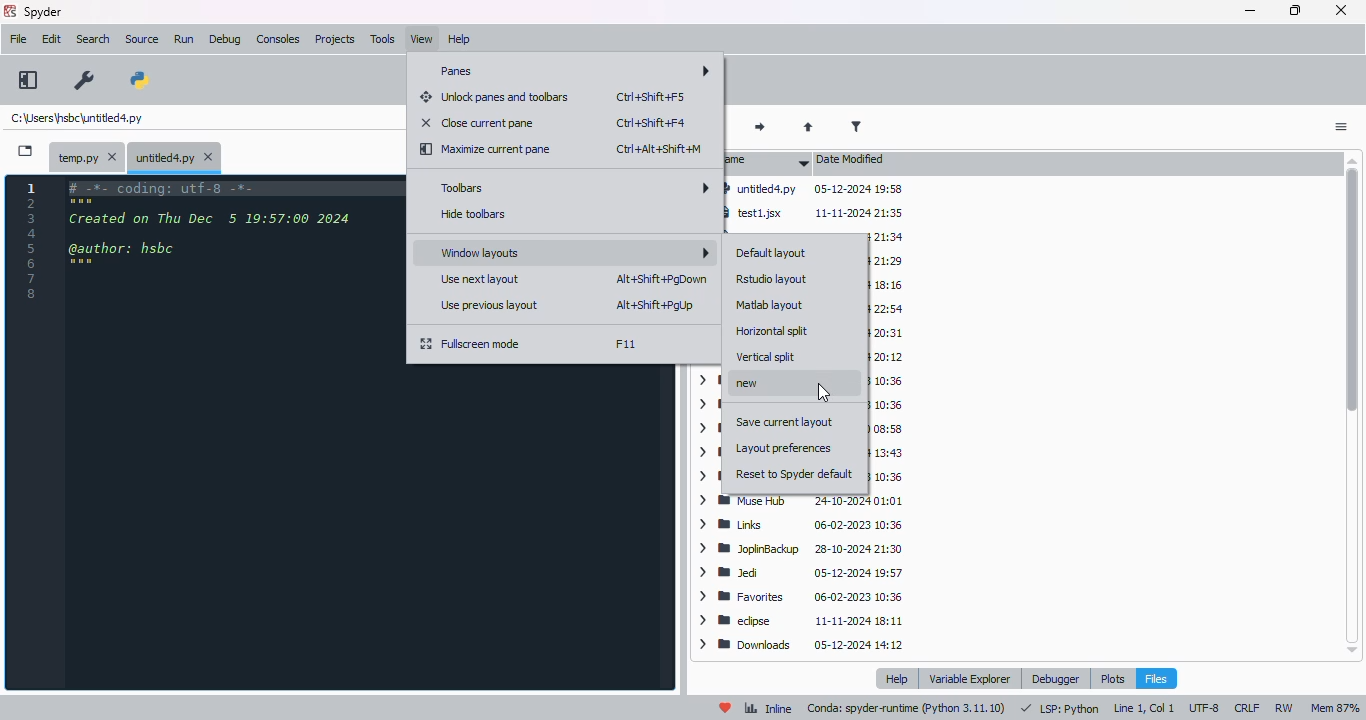 The image size is (1366, 720). I want to click on searches, so click(890, 383).